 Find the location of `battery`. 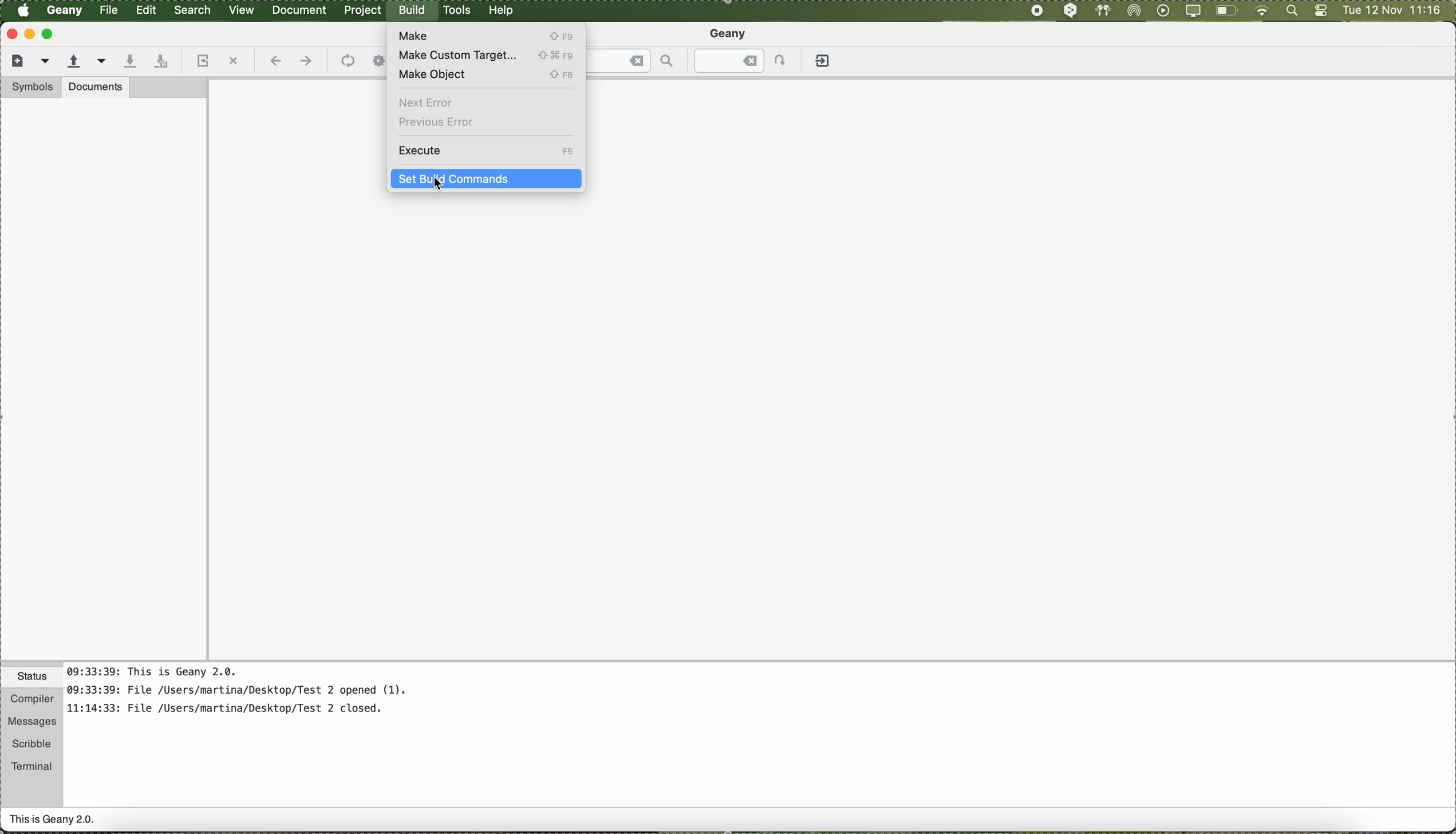

battery is located at coordinates (1227, 13).